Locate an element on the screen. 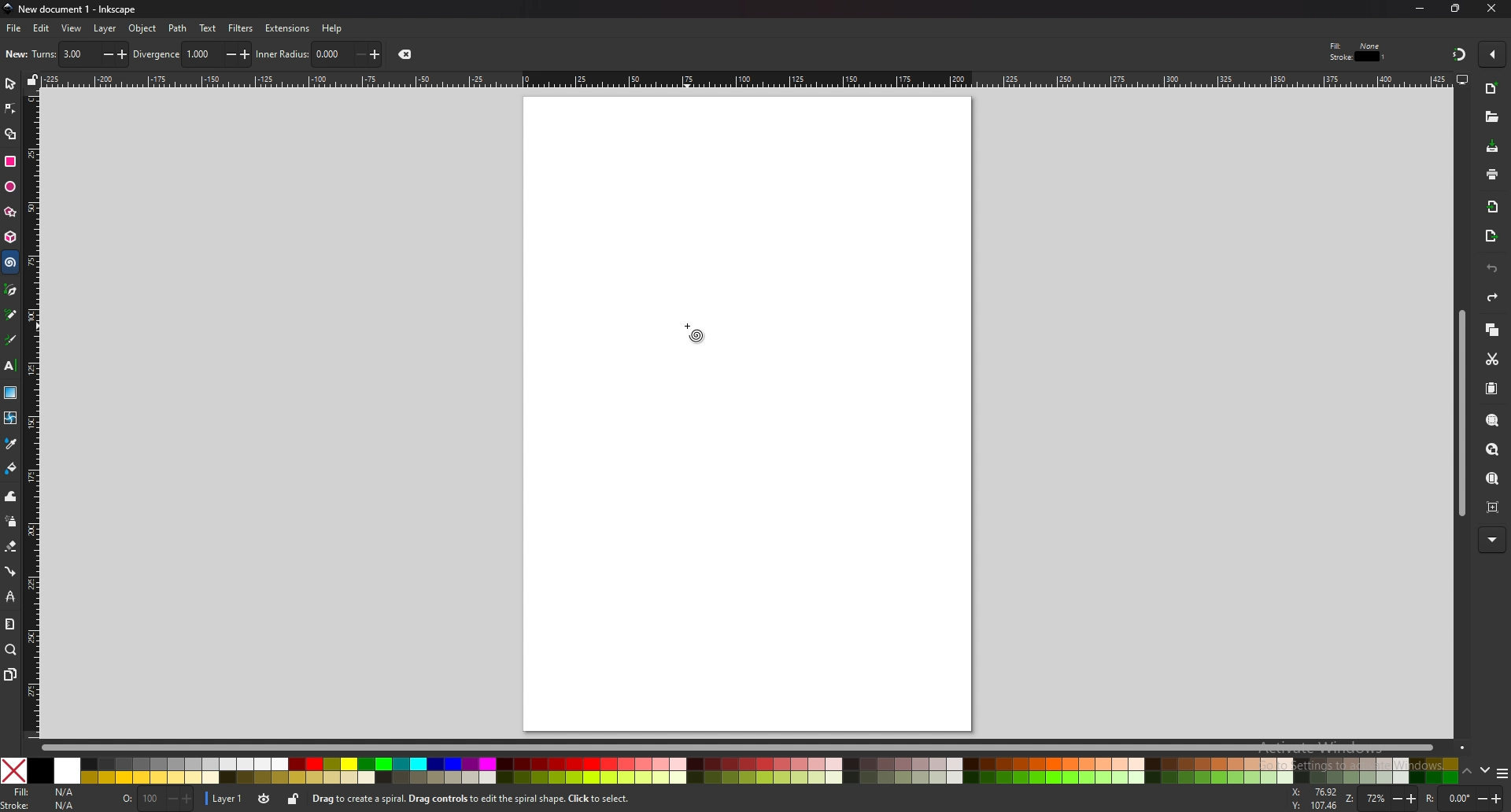 This screenshot has height=812, width=1511. snapping is located at coordinates (1457, 54).